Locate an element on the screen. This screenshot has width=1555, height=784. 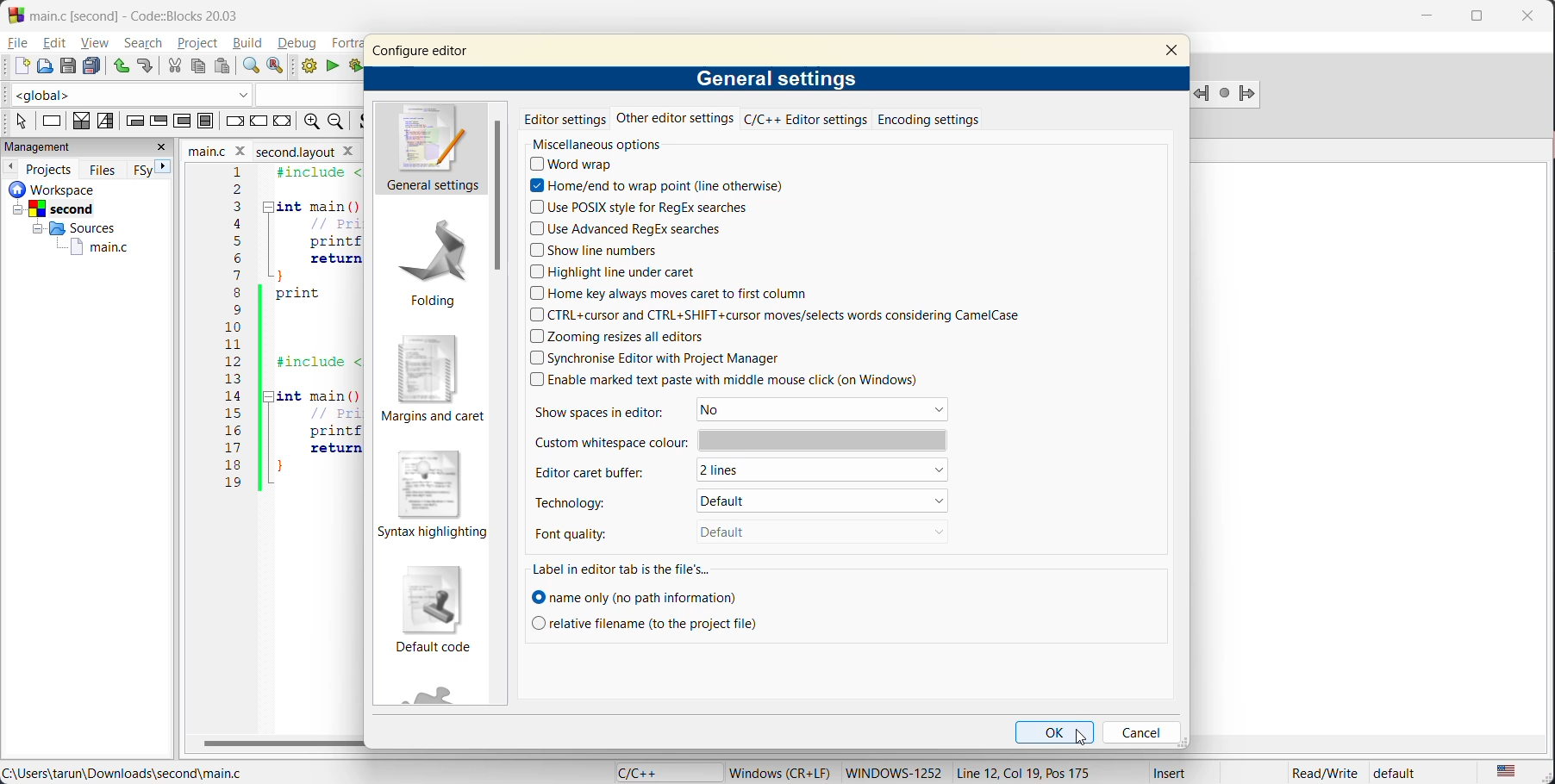
save is located at coordinates (66, 65).